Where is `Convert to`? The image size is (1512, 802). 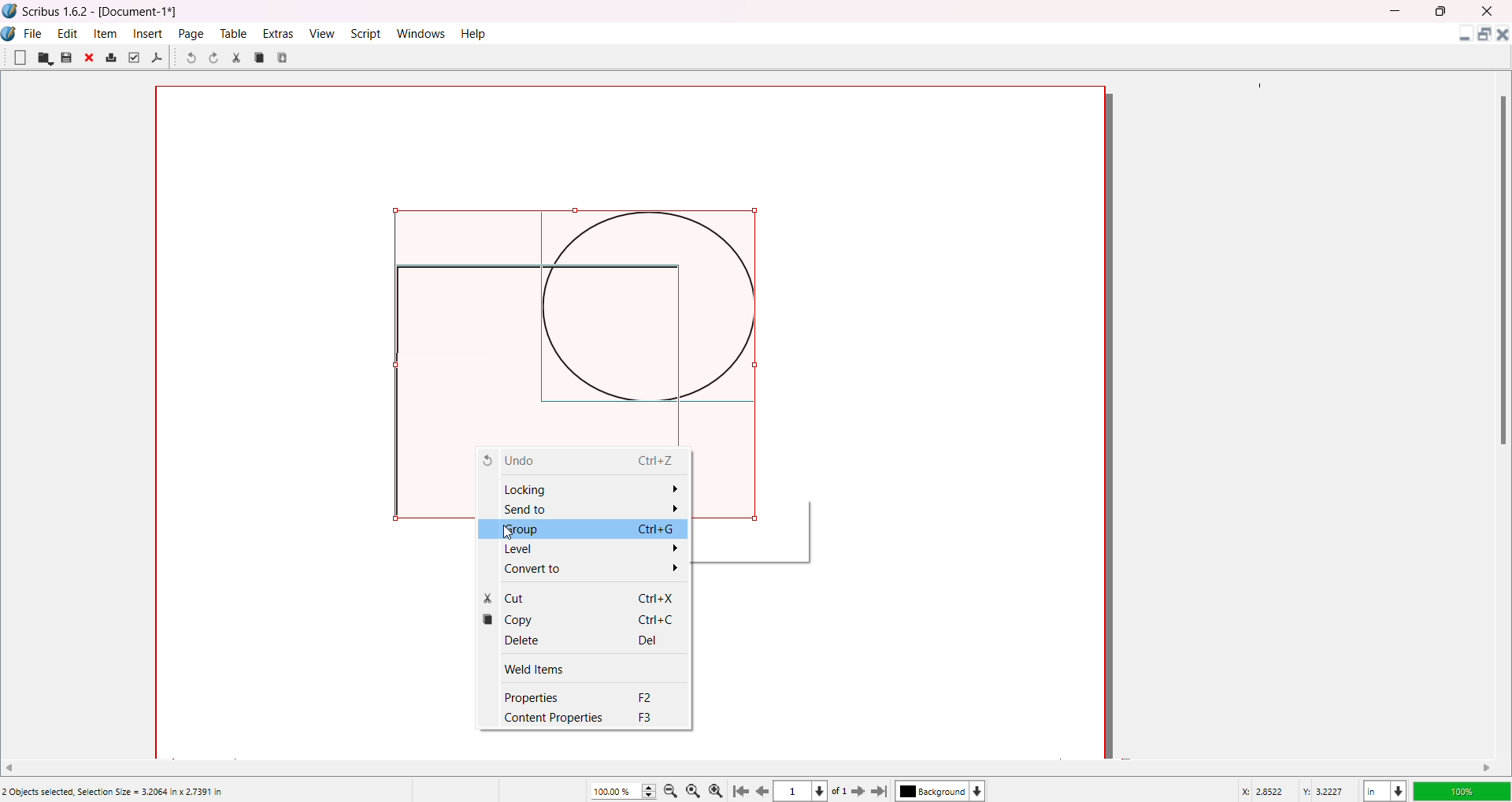
Convert to is located at coordinates (589, 570).